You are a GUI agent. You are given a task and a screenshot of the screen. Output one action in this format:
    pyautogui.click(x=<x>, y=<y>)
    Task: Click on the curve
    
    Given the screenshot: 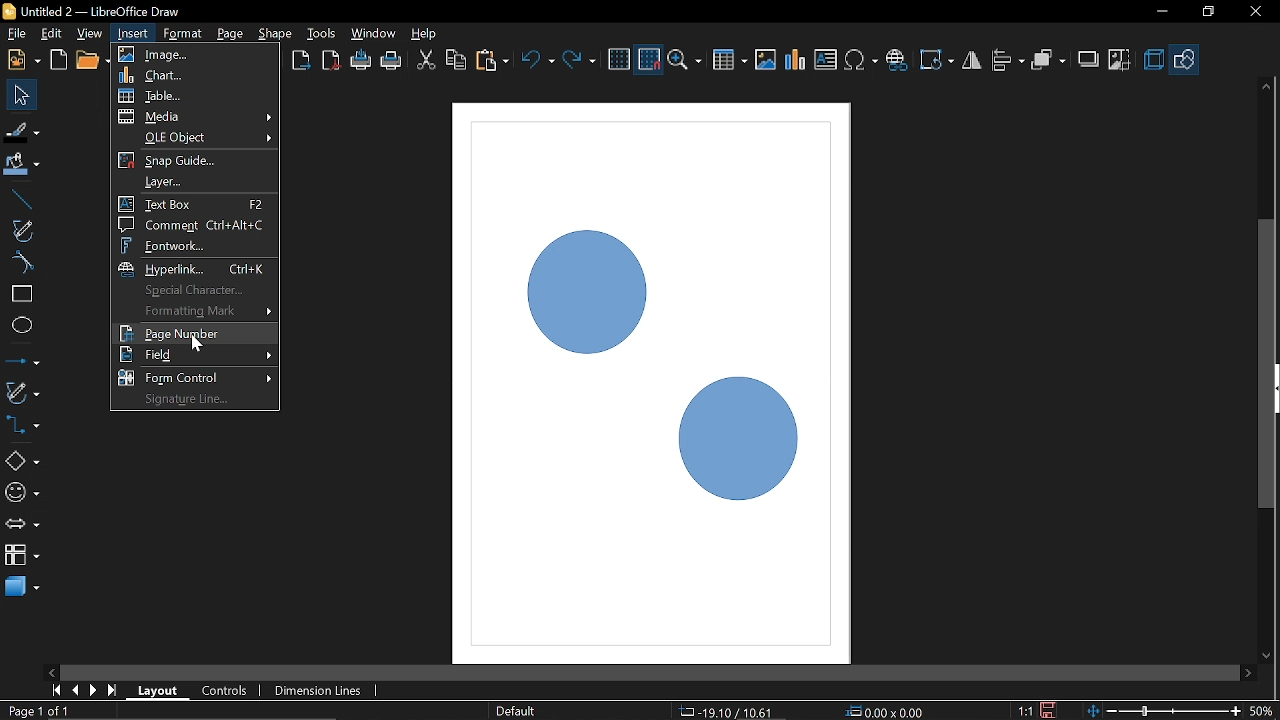 What is the action you would take?
    pyautogui.click(x=20, y=262)
    